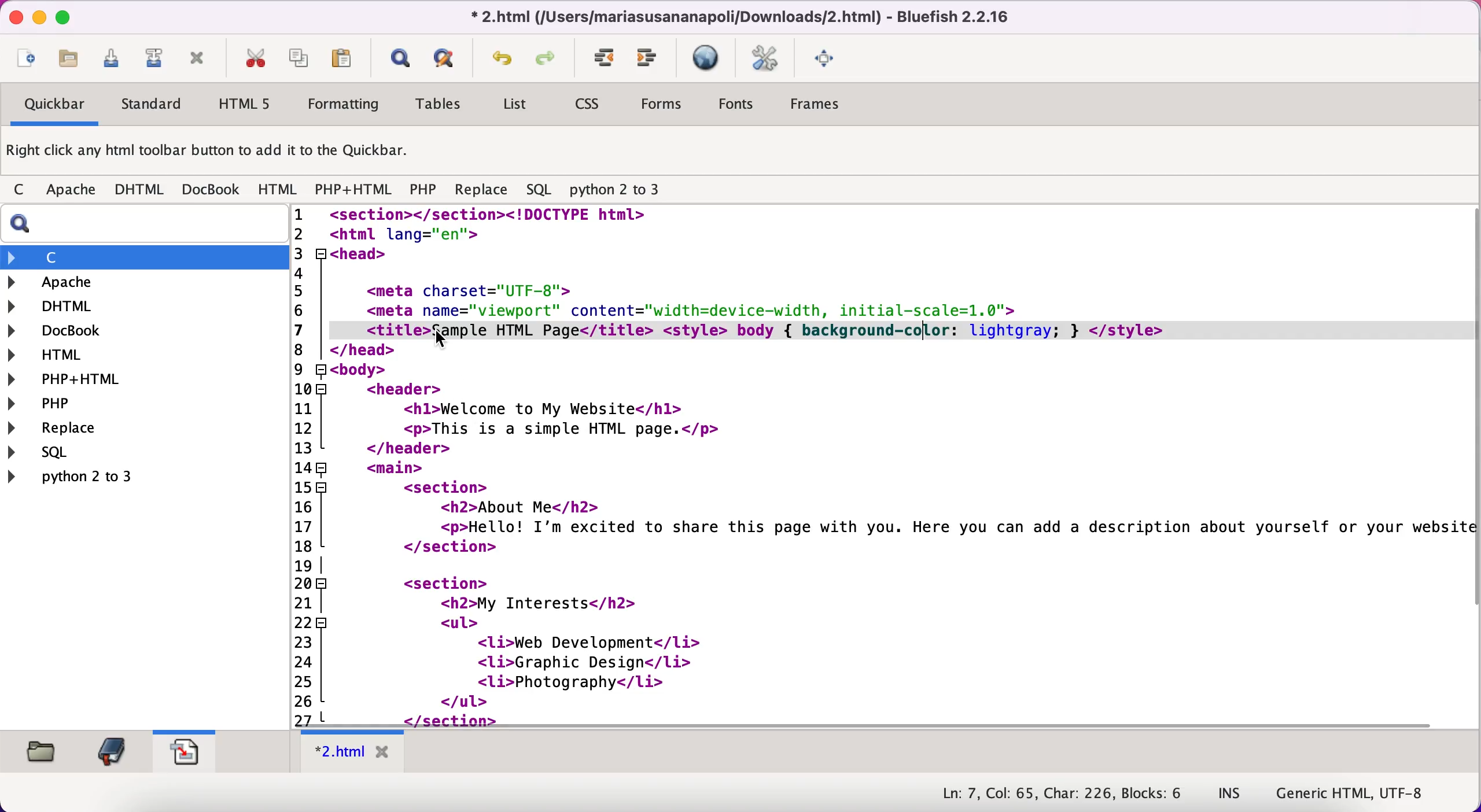 Image resolution: width=1481 pixels, height=812 pixels. I want to click on close current file, so click(197, 60).